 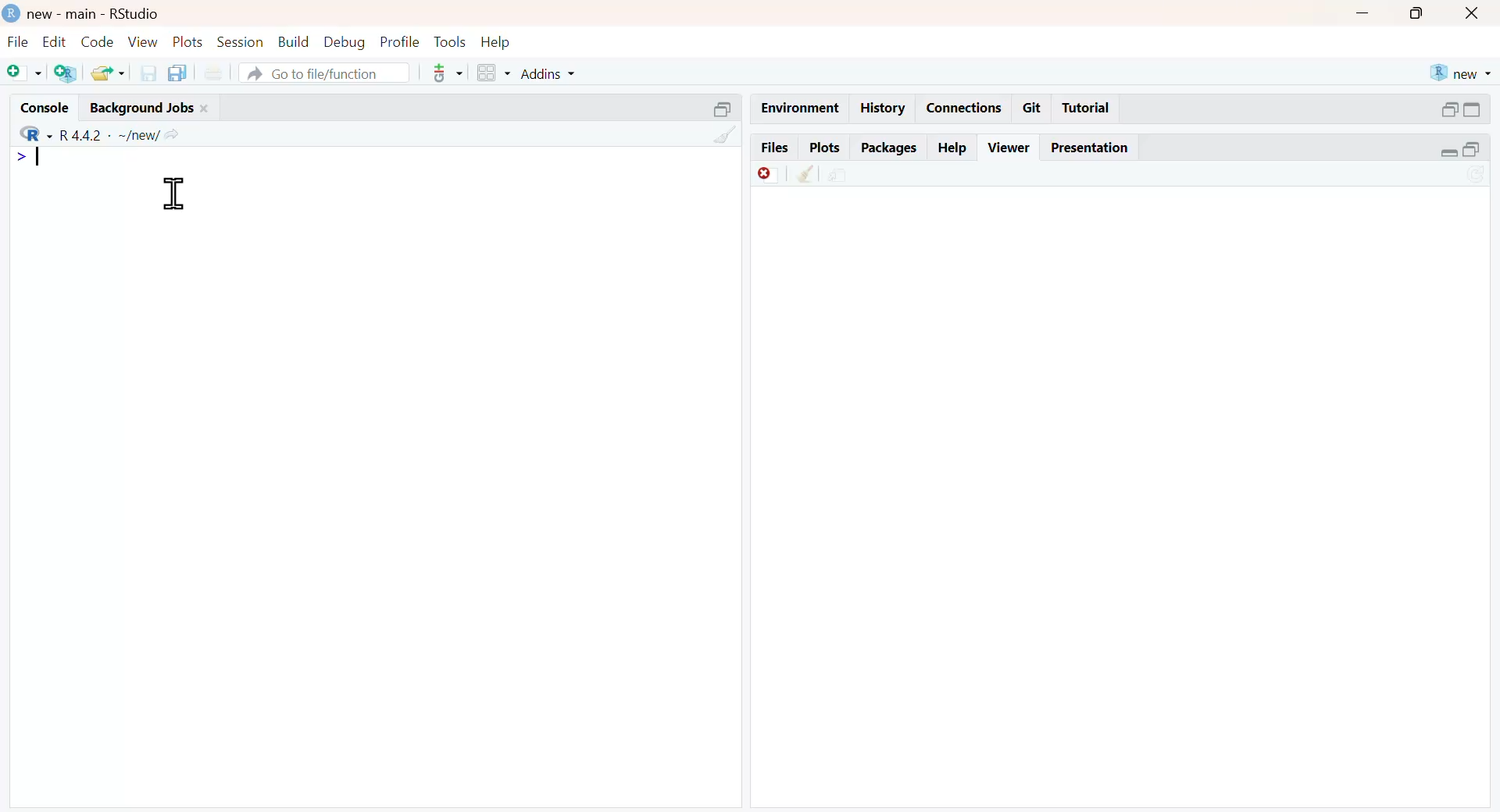 What do you see at coordinates (175, 192) in the screenshot?
I see `cursor` at bounding box center [175, 192].